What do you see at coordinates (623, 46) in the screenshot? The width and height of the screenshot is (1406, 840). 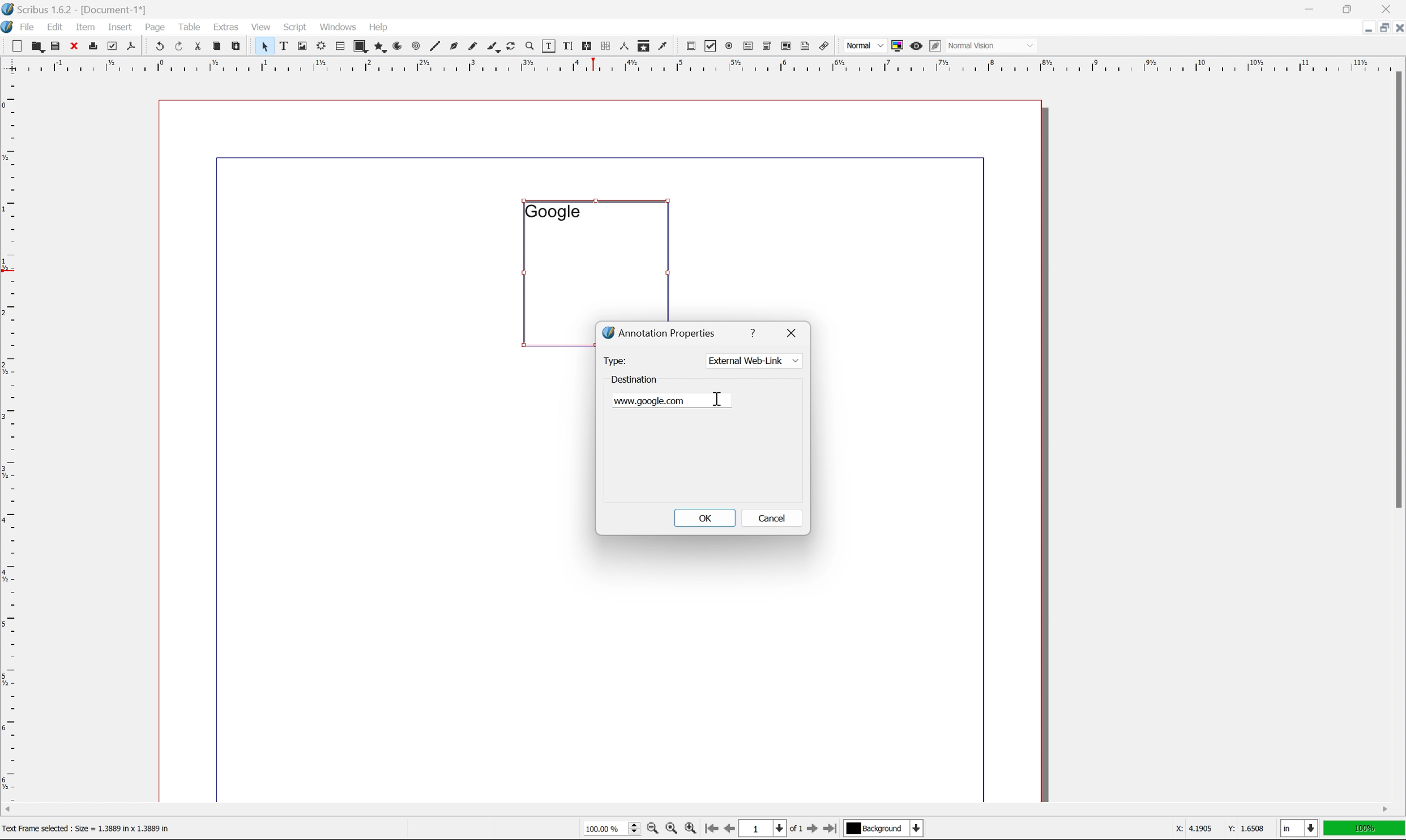 I see `measurements` at bounding box center [623, 46].